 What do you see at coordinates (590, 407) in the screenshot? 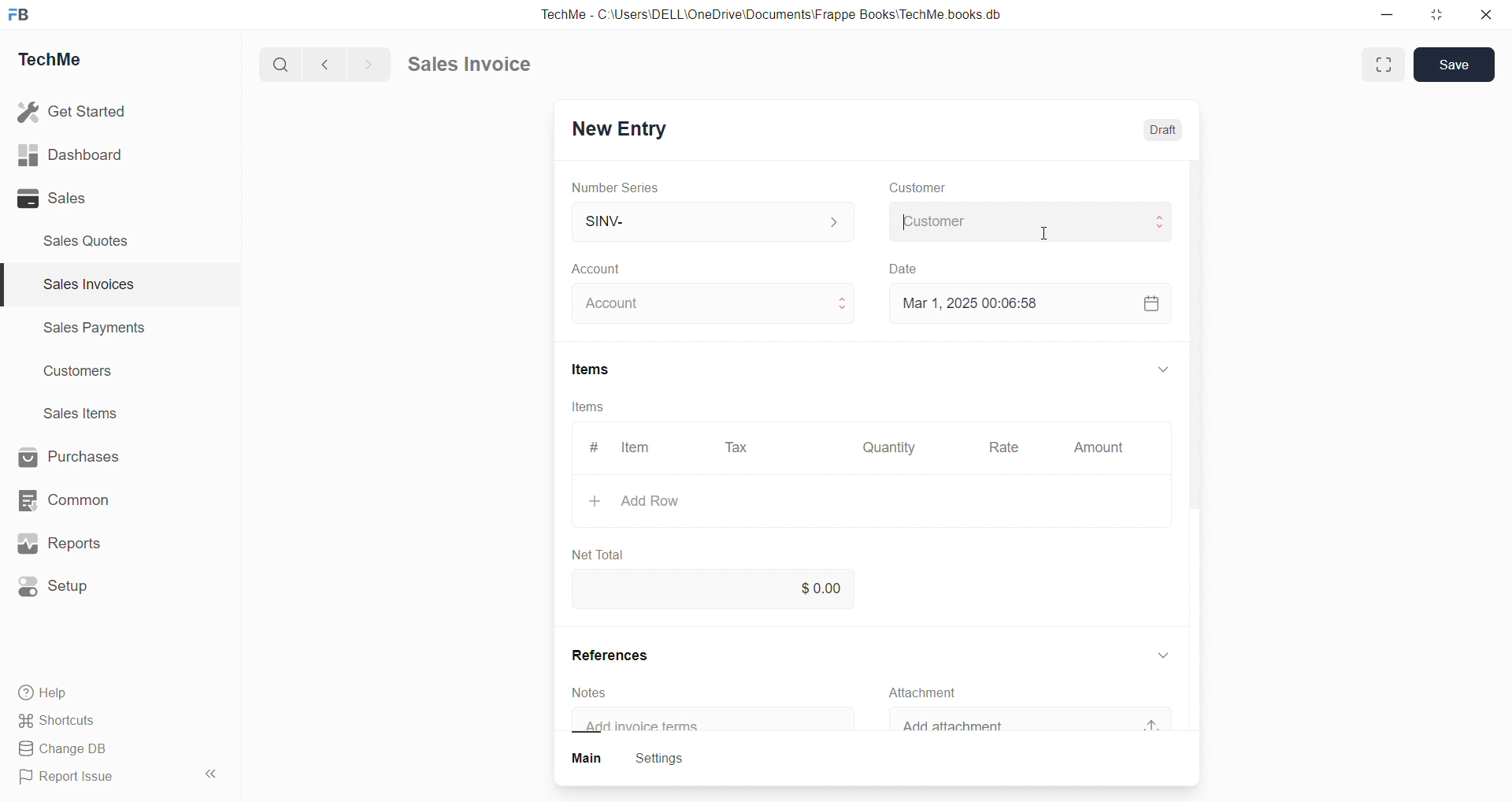
I see `Items` at bounding box center [590, 407].